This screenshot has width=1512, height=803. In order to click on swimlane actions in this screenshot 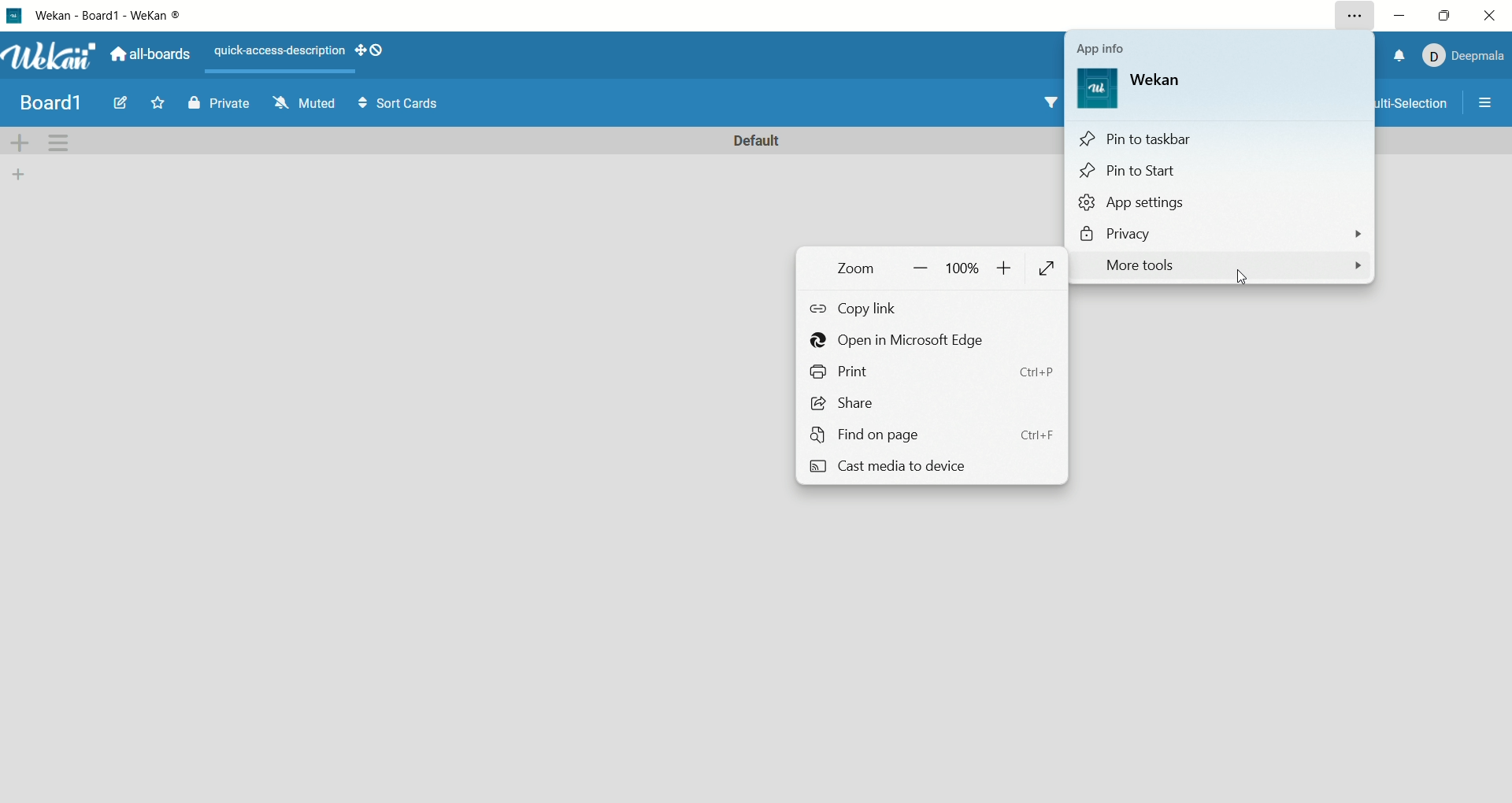, I will do `click(59, 144)`.